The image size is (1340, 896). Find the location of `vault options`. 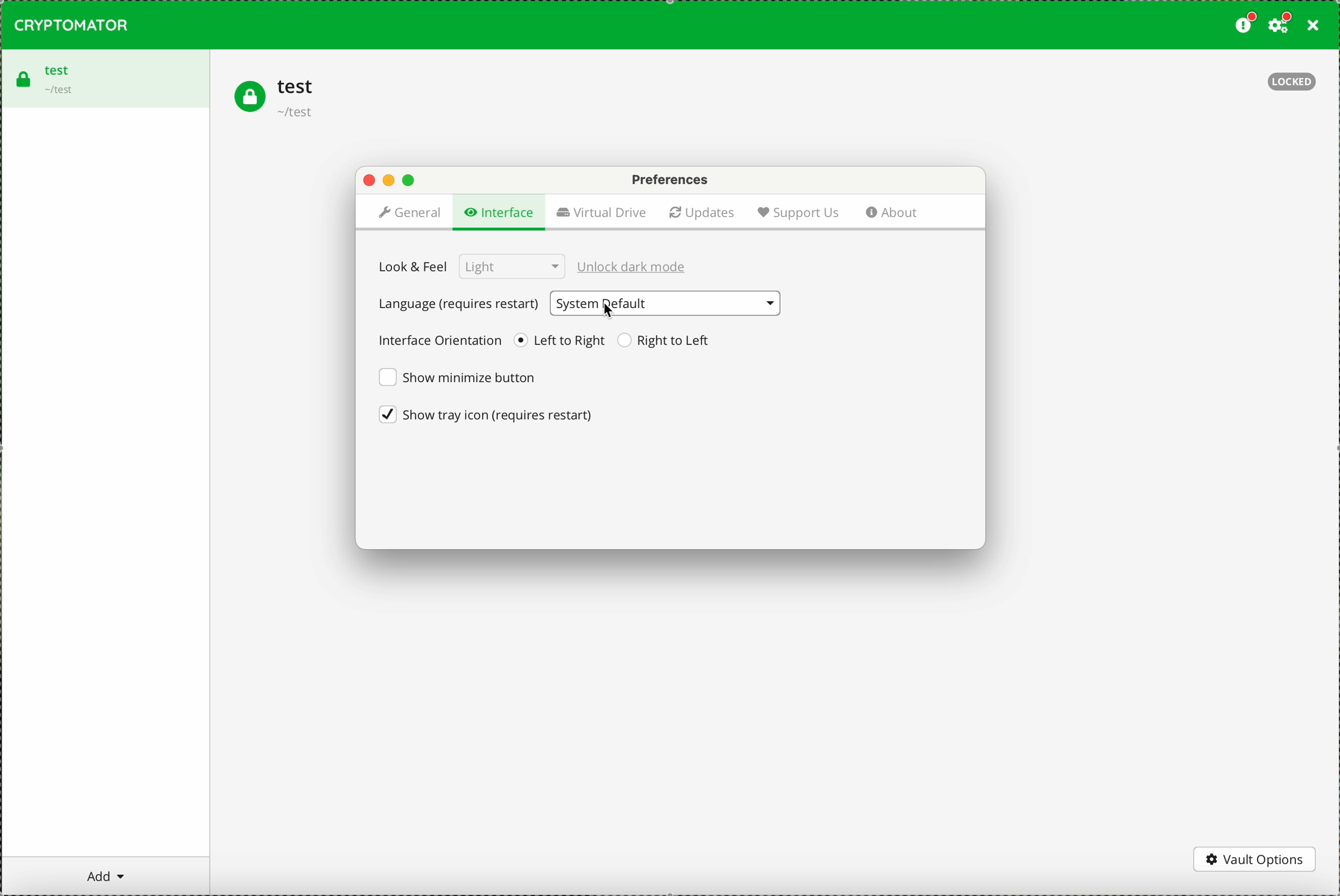

vault options is located at coordinates (1258, 859).